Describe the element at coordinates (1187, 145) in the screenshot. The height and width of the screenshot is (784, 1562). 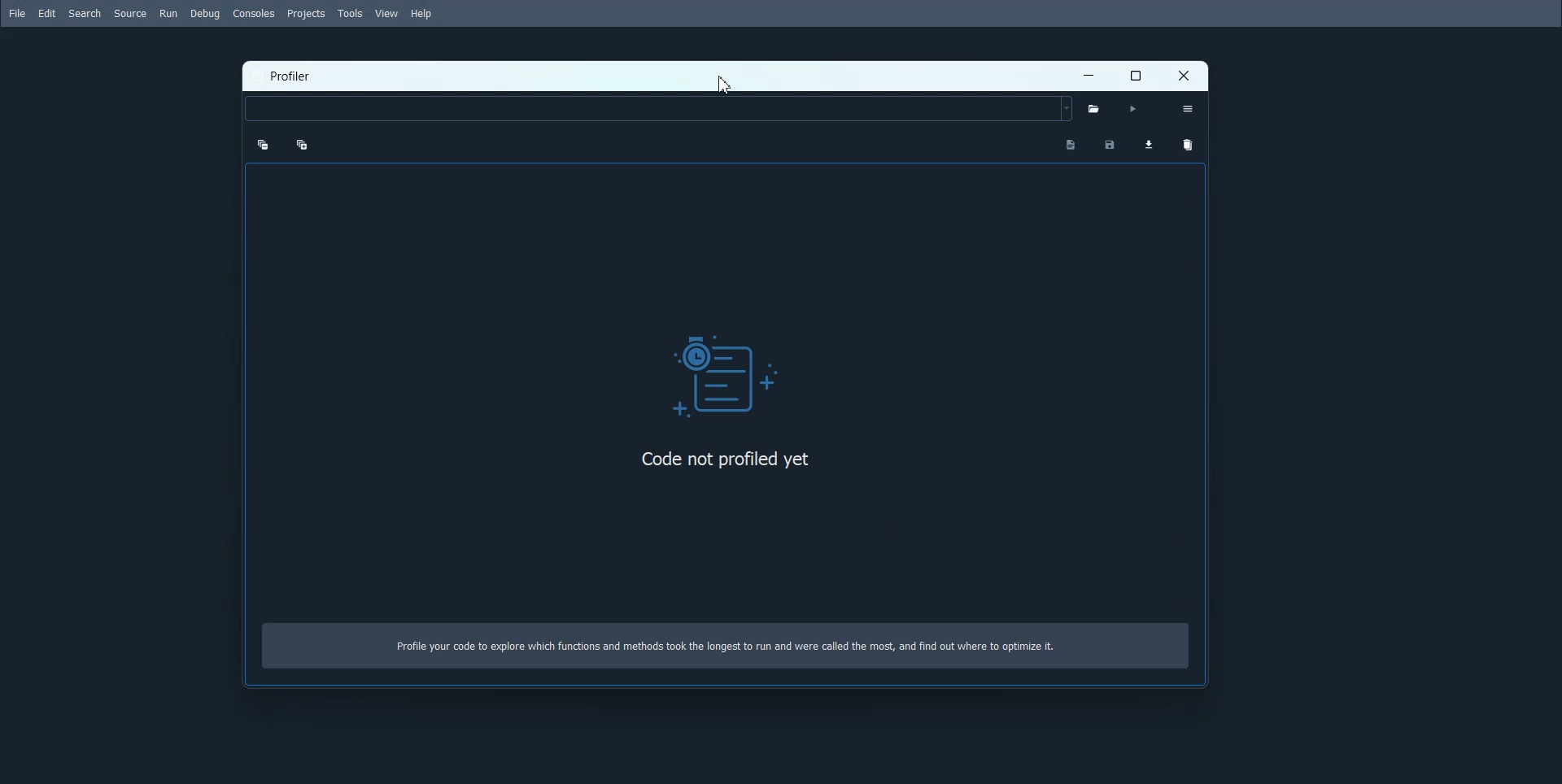
I see `Clear Comparison` at that location.